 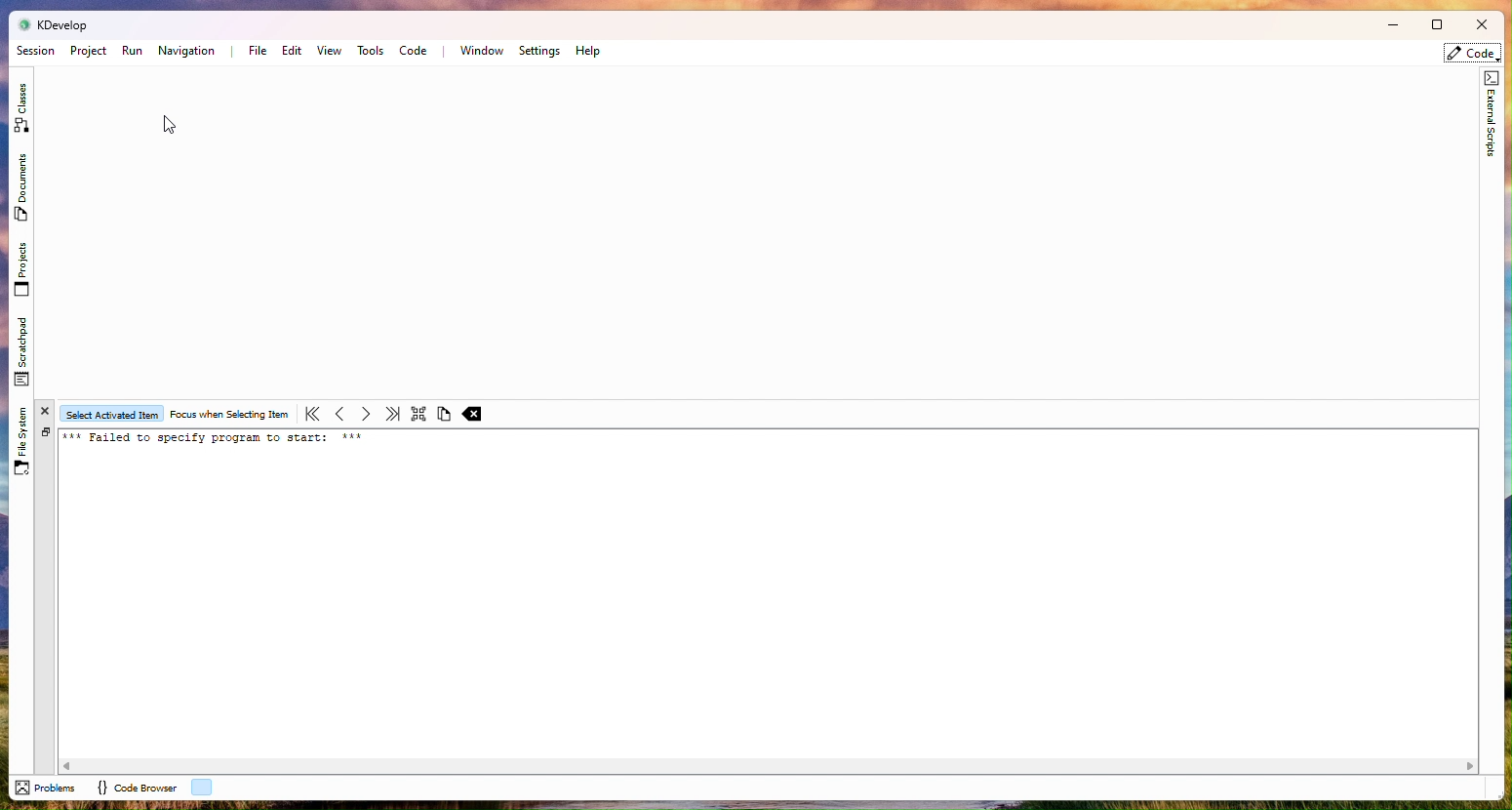 What do you see at coordinates (414, 52) in the screenshot?
I see `Code` at bounding box center [414, 52].